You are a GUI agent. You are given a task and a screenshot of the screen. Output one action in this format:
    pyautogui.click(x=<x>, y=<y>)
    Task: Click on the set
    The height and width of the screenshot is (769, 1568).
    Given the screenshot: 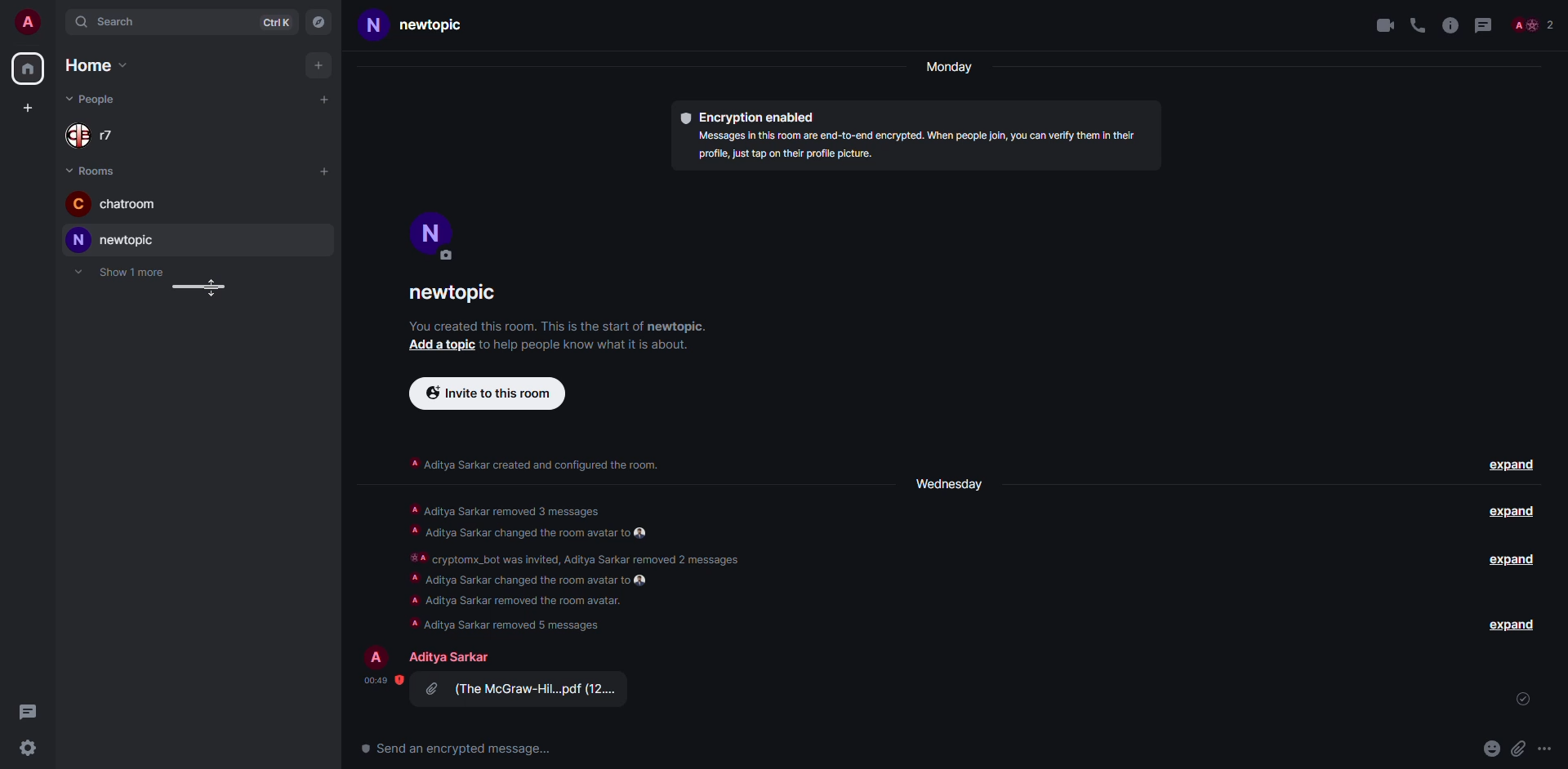 What is the action you would take?
    pyautogui.click(x=1524, y=701)
    